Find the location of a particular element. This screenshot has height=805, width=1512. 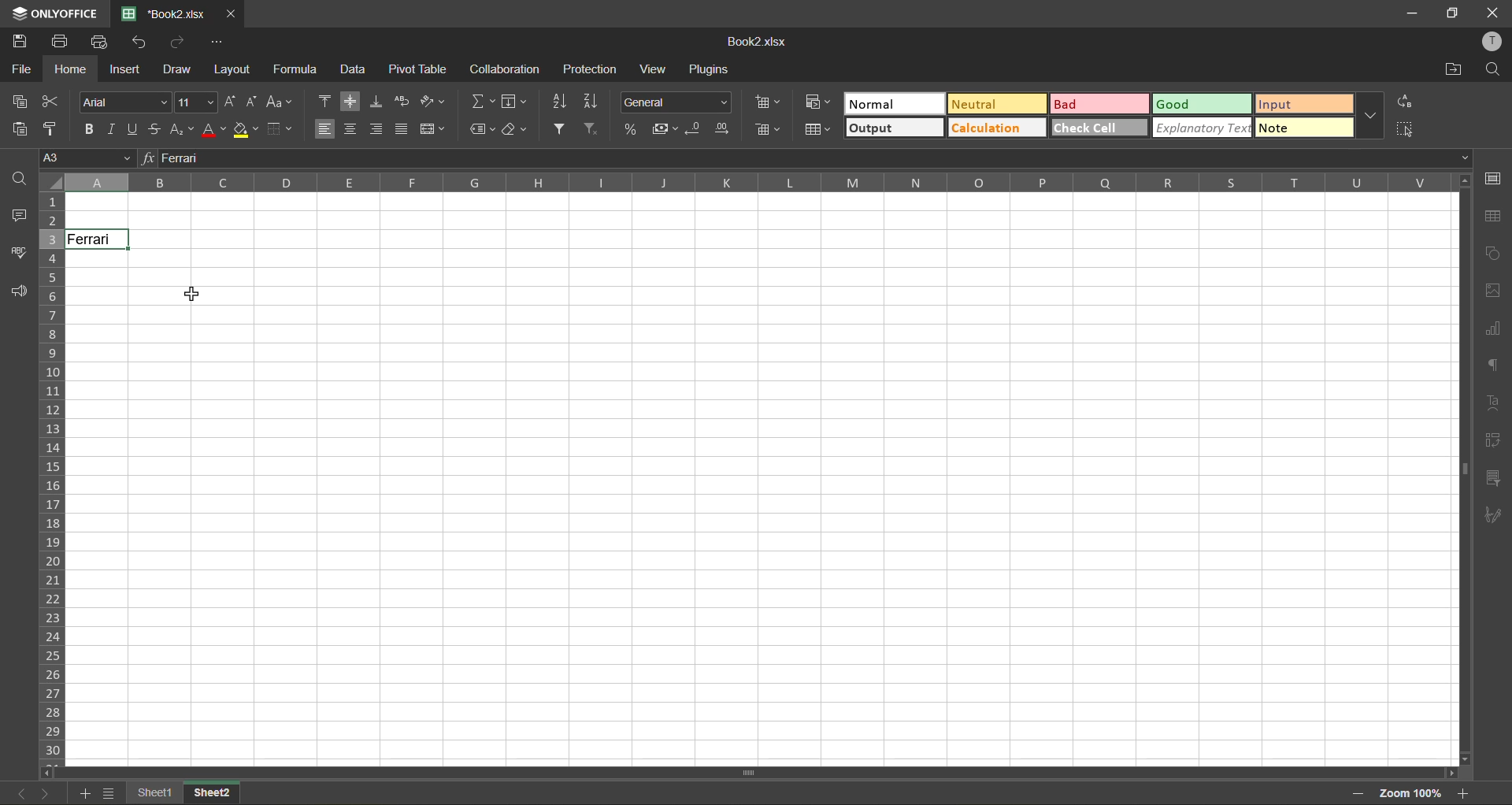

align center is located at coordinates (352, 129).